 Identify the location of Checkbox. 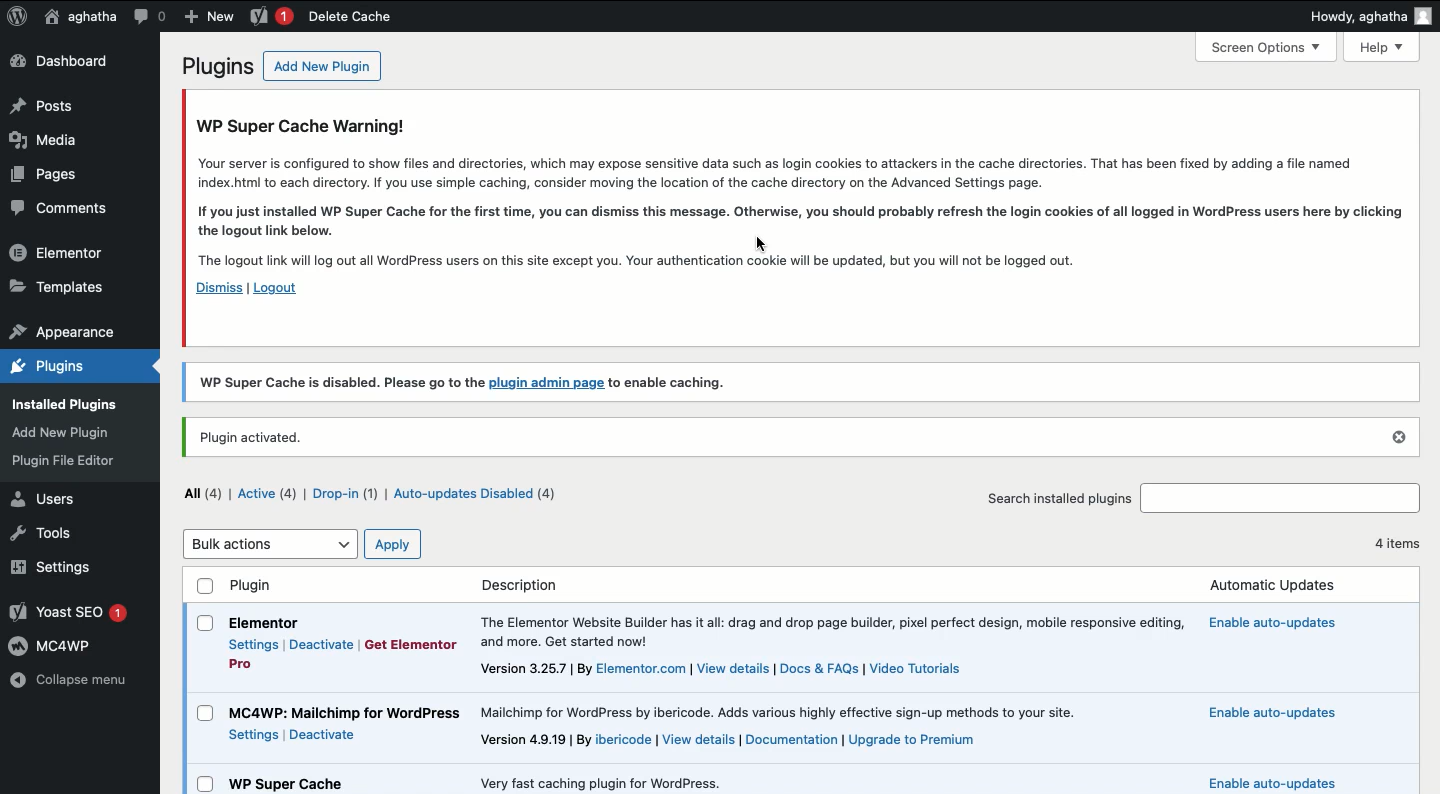
(206, 712).